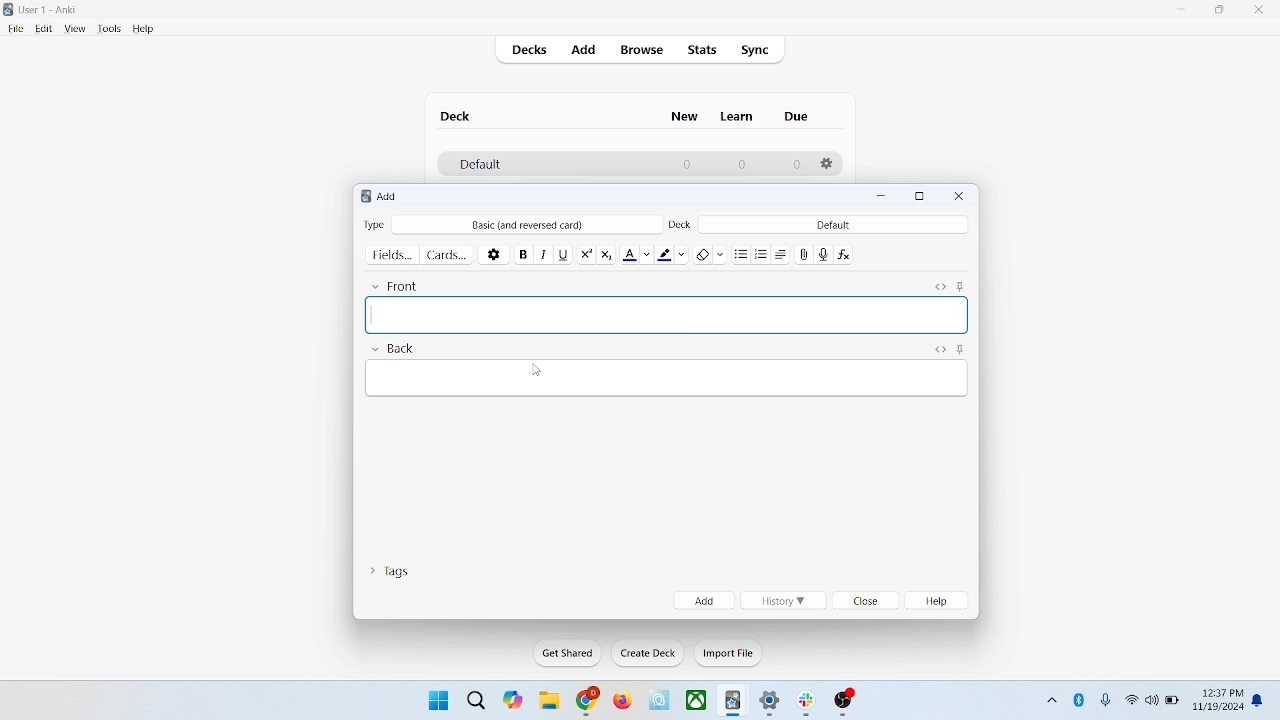 This screenshot has height=720, width=1280. I want to click on due, so click(798, 117).